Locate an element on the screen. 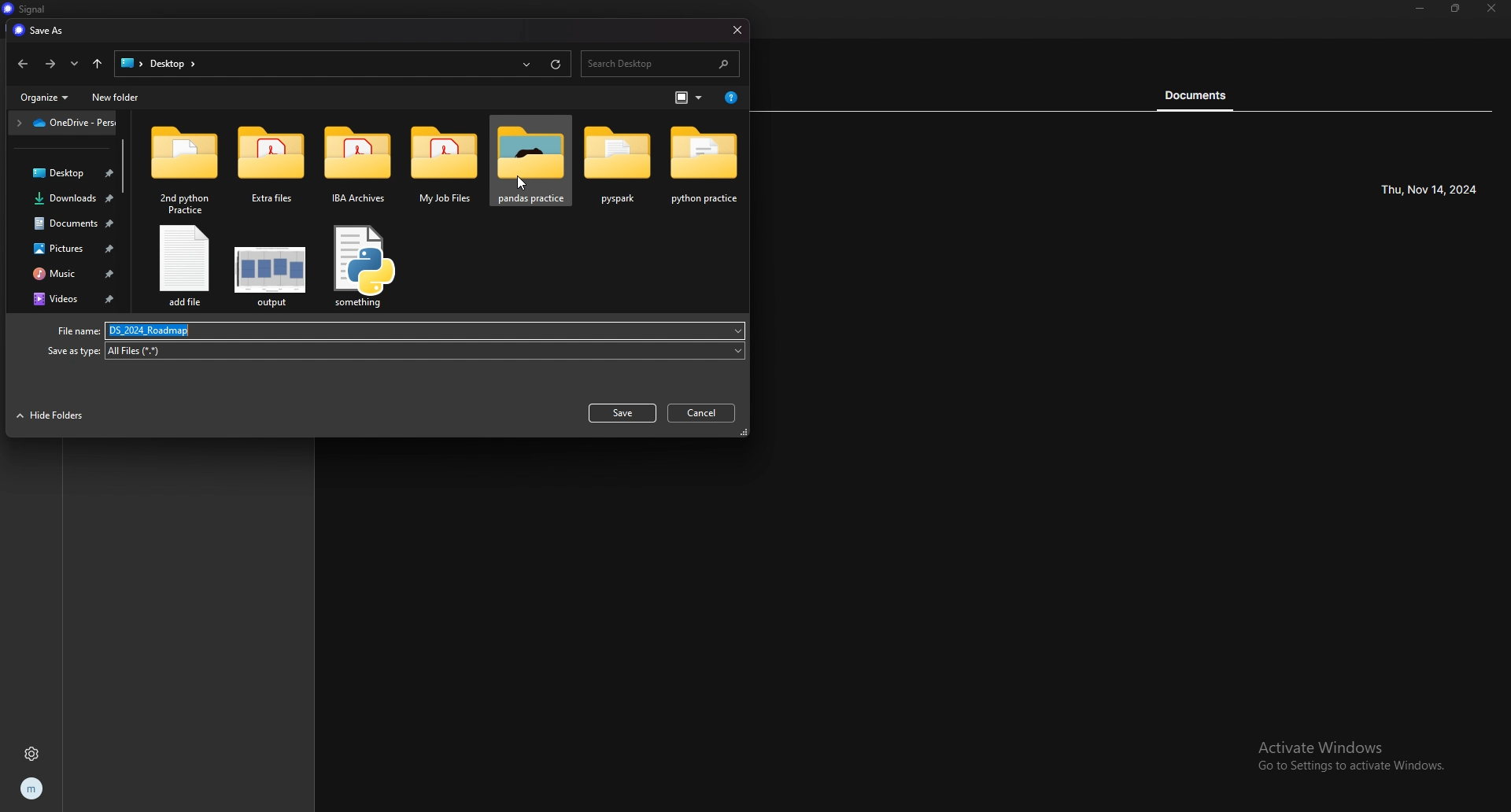 Image resolution: width=1511 pixels, height=812 pixels. refresh is located at coordinates (557, 63).